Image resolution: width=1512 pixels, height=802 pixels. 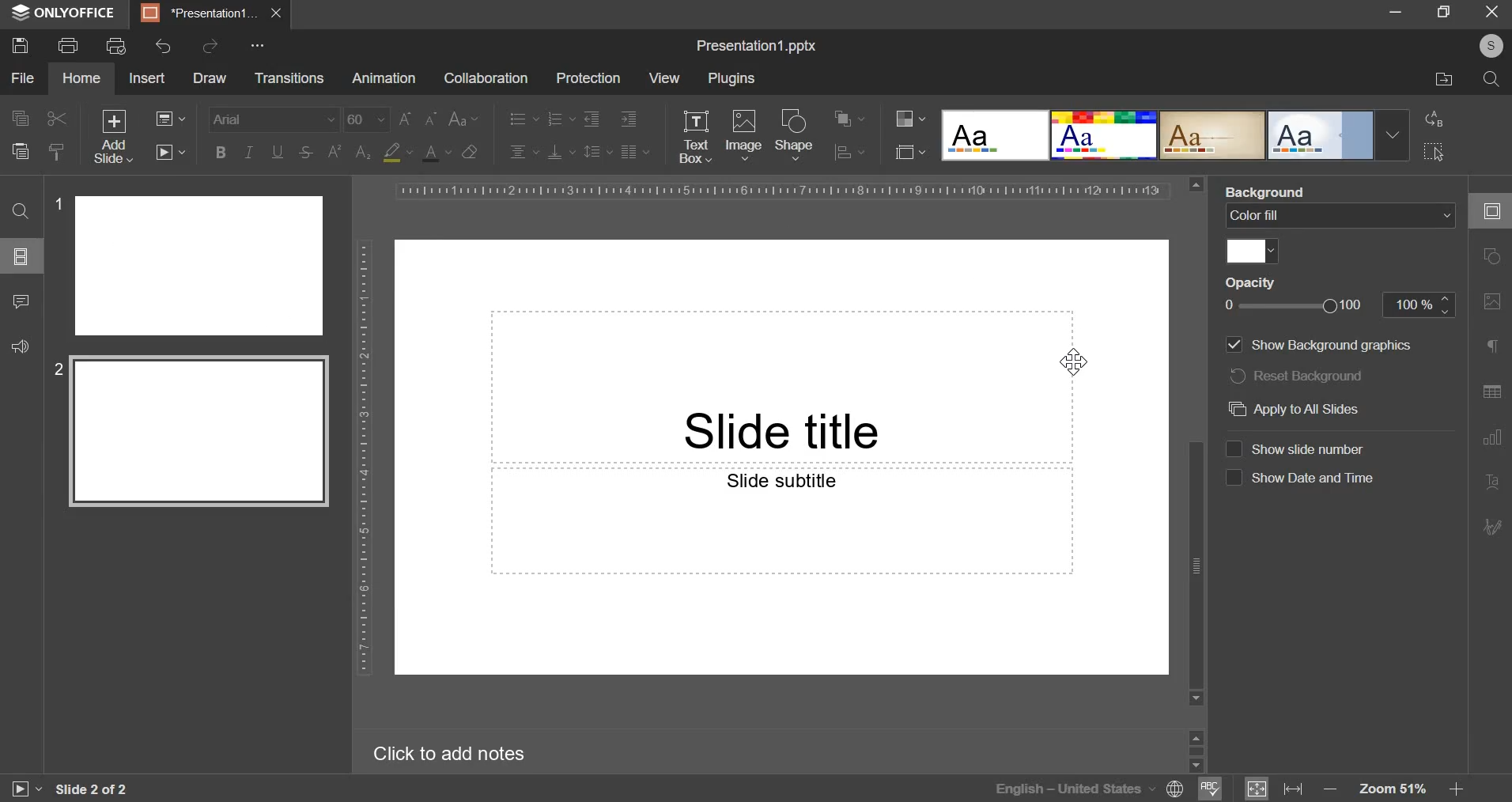 I want to click on zoom level, so click(x=1396, y=789).